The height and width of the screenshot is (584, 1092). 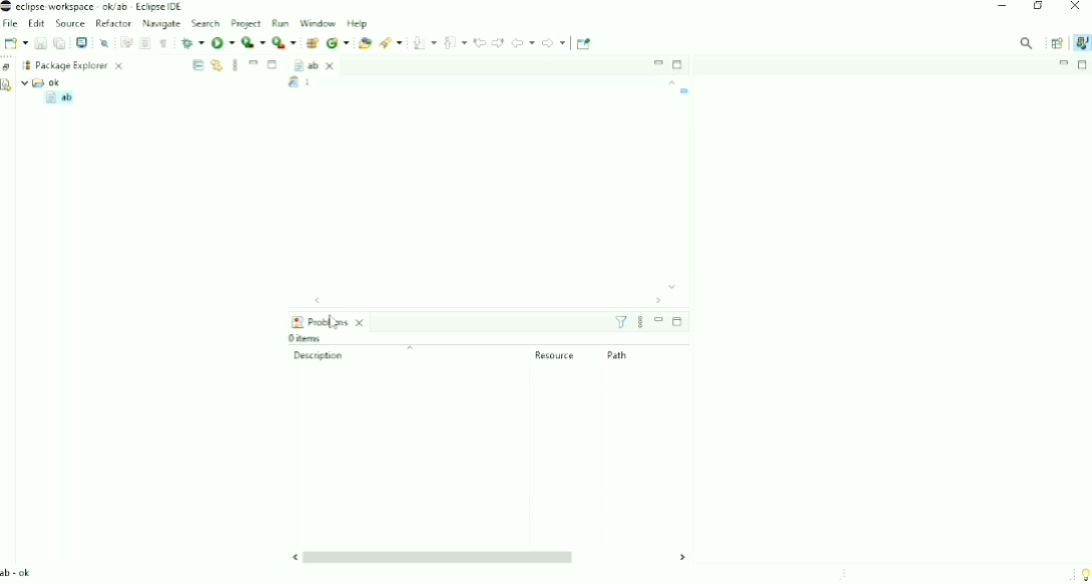 I want to click on Save All, so click(x=59, y=43).